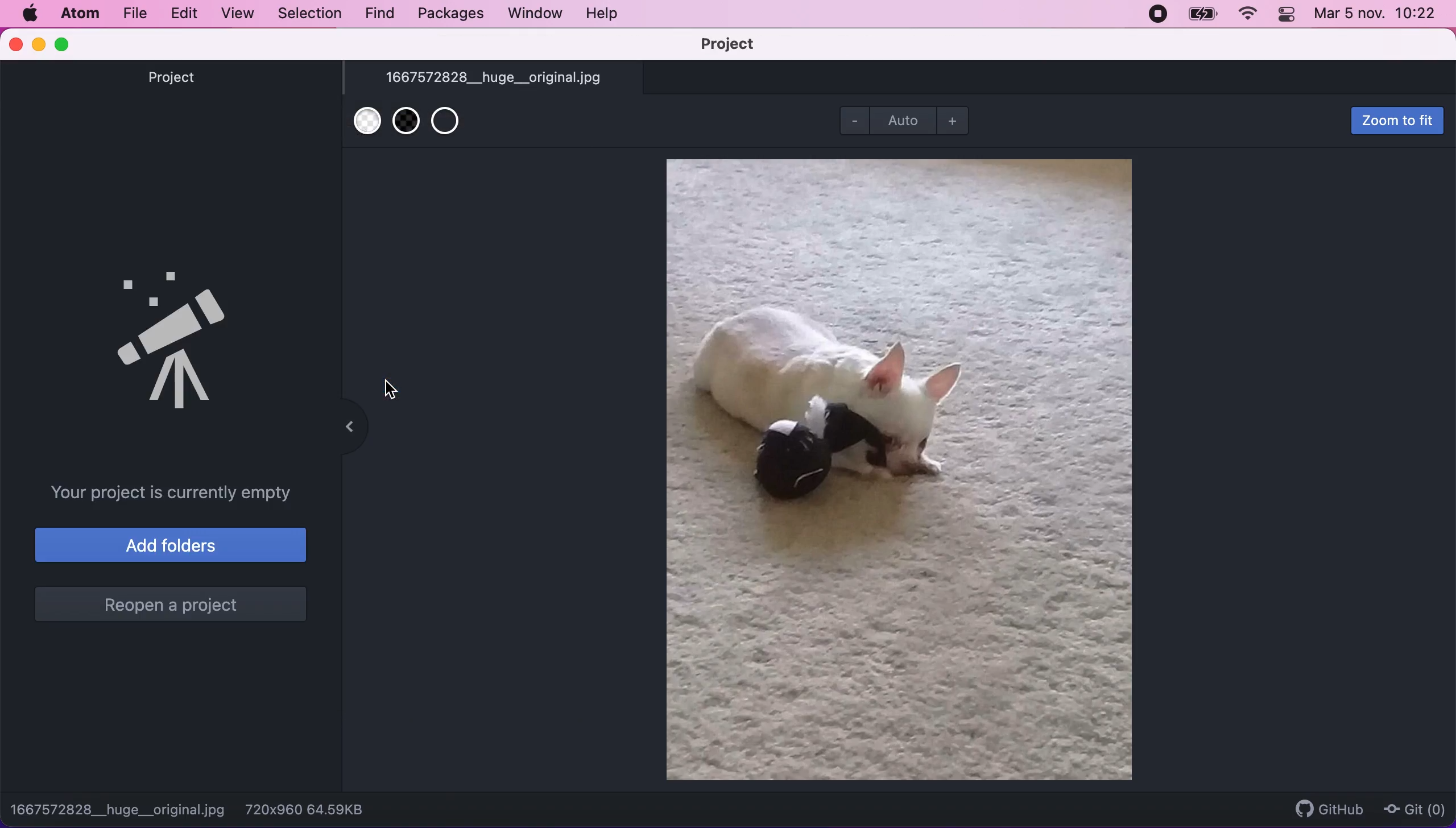 This screenshot has height=828, width=1456. I want to click on show/hide, so click(346, 428).